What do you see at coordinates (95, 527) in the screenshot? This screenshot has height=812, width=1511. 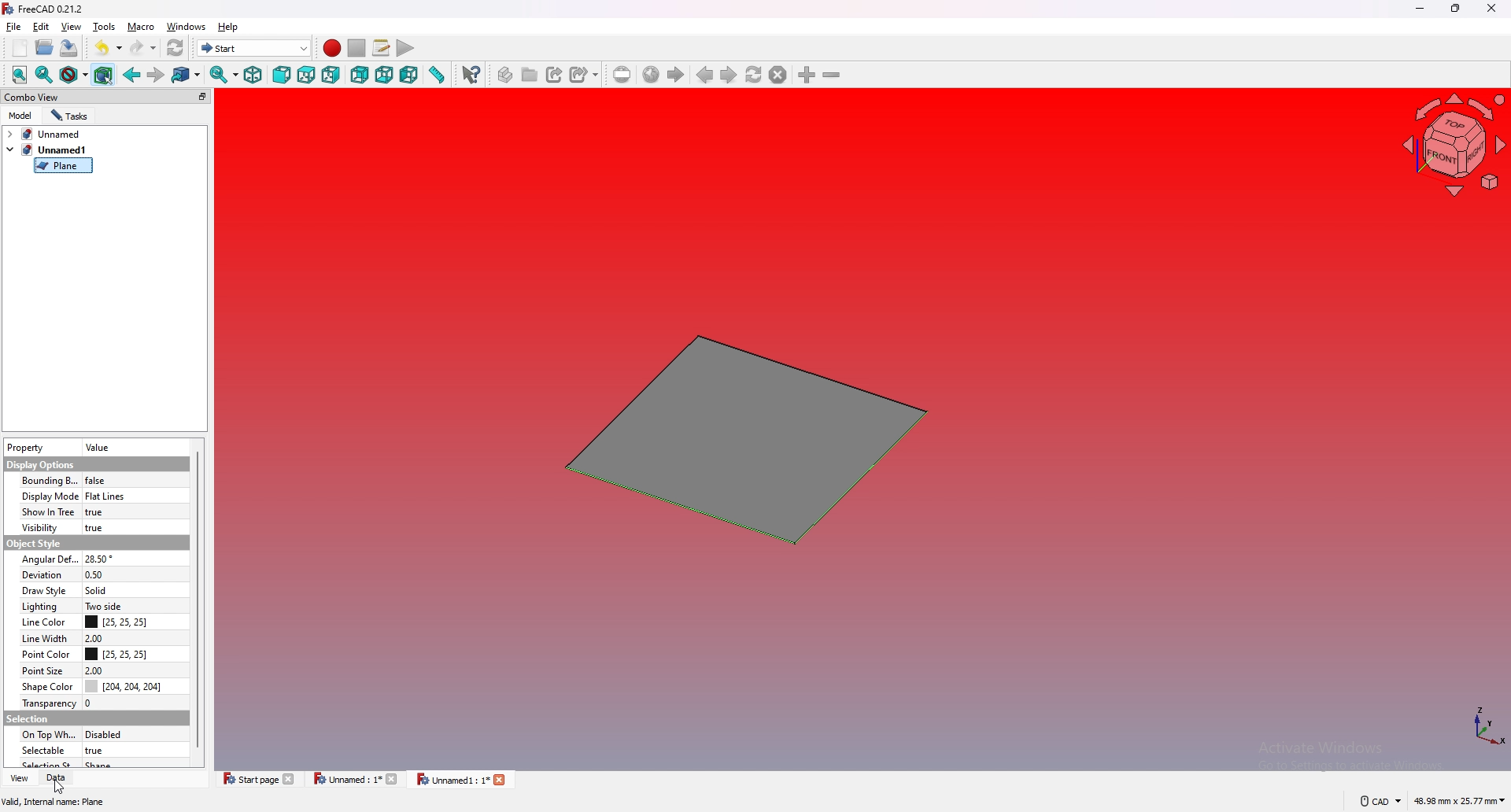 I see `true` at bounding box center [95, 527].